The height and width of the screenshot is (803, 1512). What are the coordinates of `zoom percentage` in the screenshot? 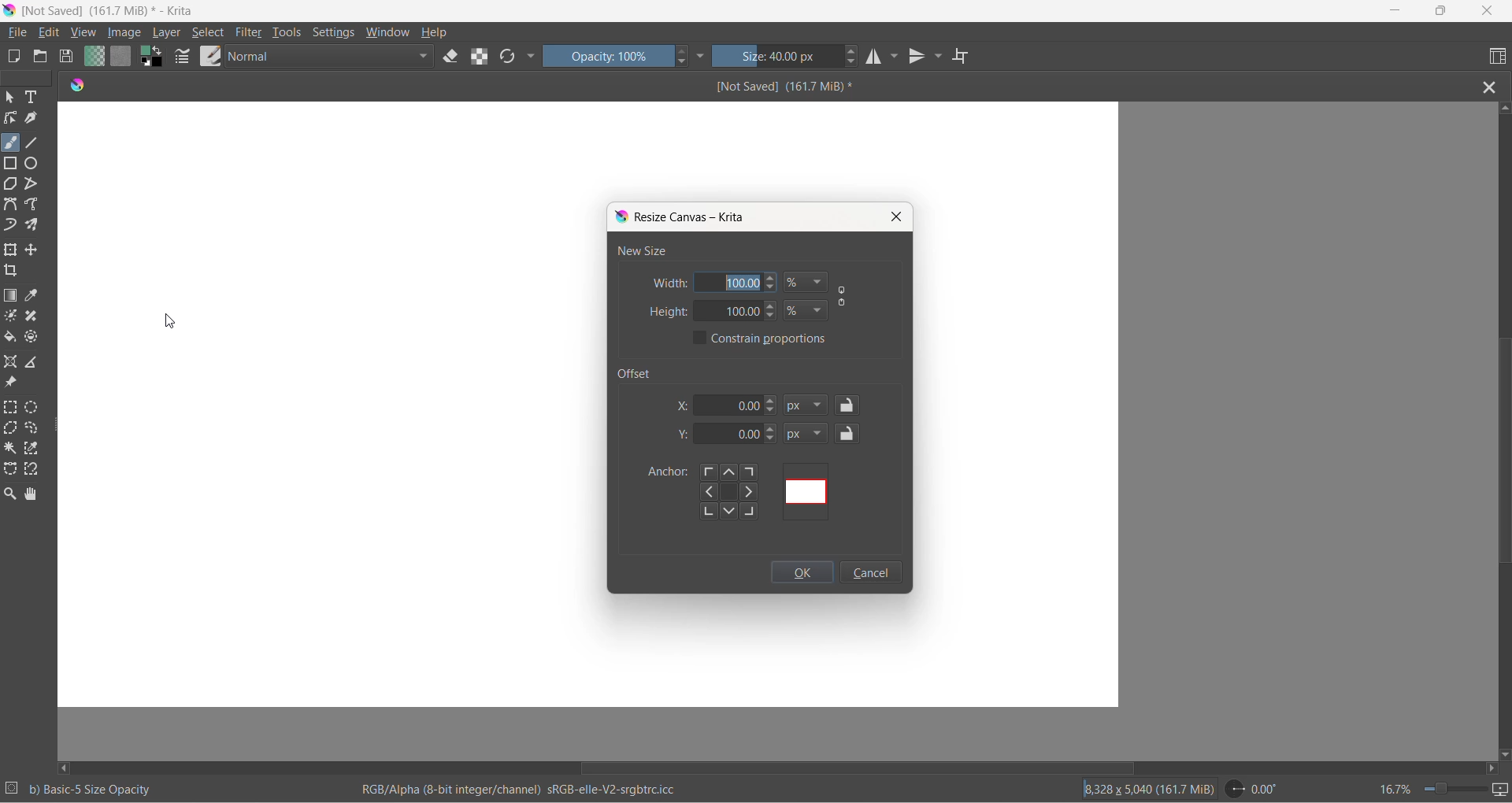 It's located at (1394, 787).